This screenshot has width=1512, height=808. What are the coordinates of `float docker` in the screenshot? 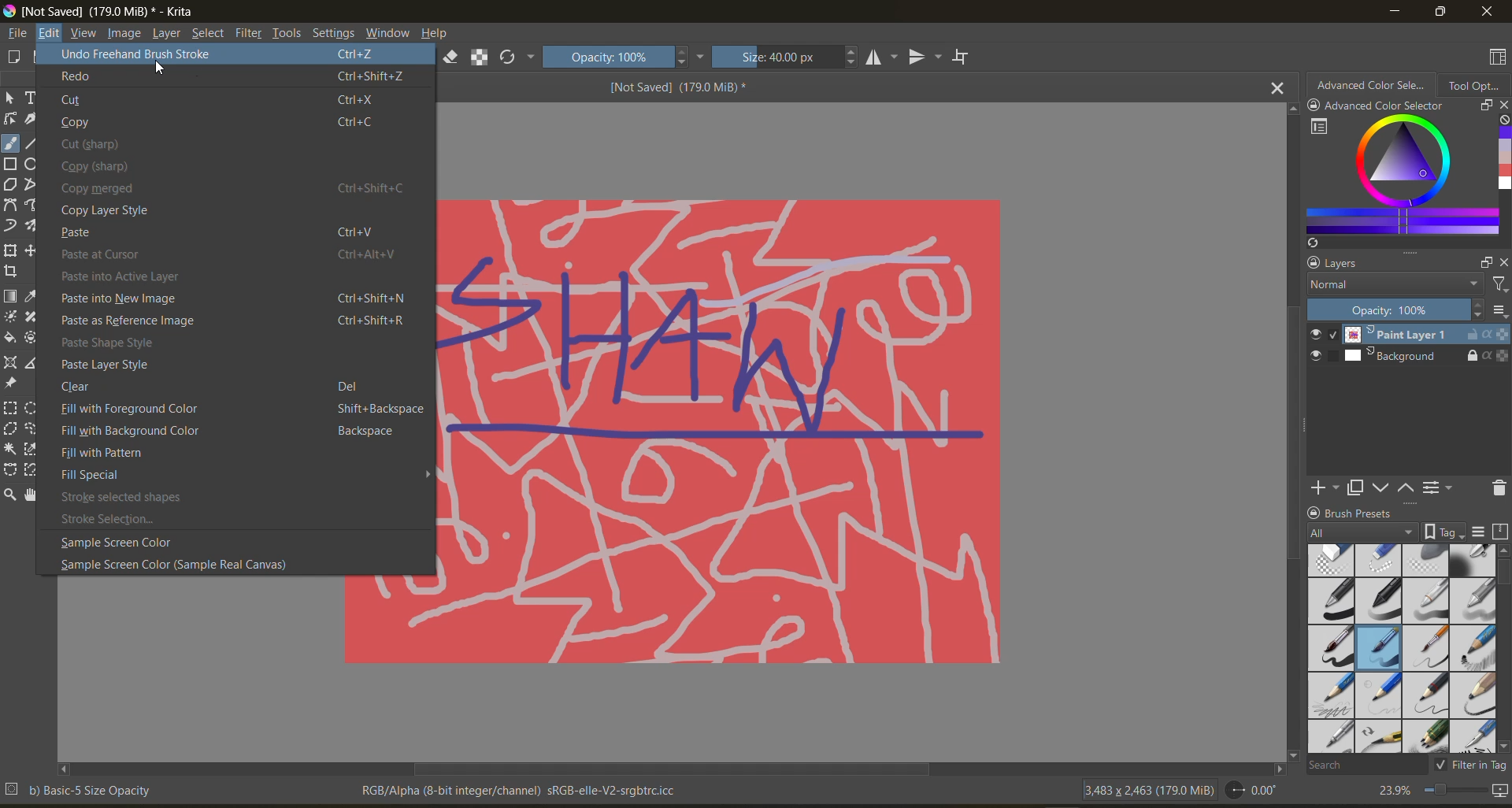 It's located at (1482, 106).